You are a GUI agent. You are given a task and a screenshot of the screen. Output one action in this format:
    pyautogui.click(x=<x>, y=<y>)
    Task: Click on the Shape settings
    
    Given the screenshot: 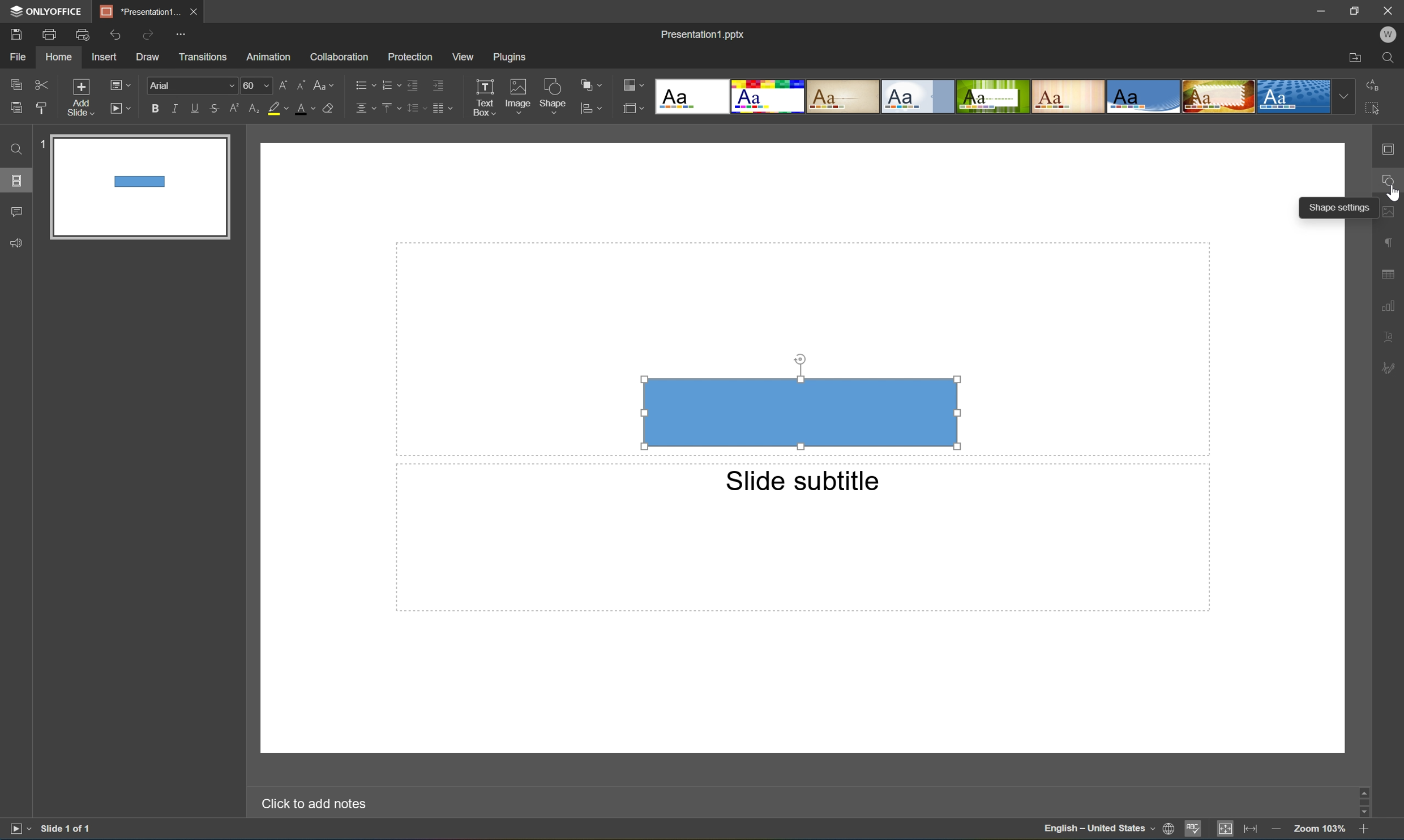 What is the action you would take?
    pyautogui.click(x=1339, y=208)
    